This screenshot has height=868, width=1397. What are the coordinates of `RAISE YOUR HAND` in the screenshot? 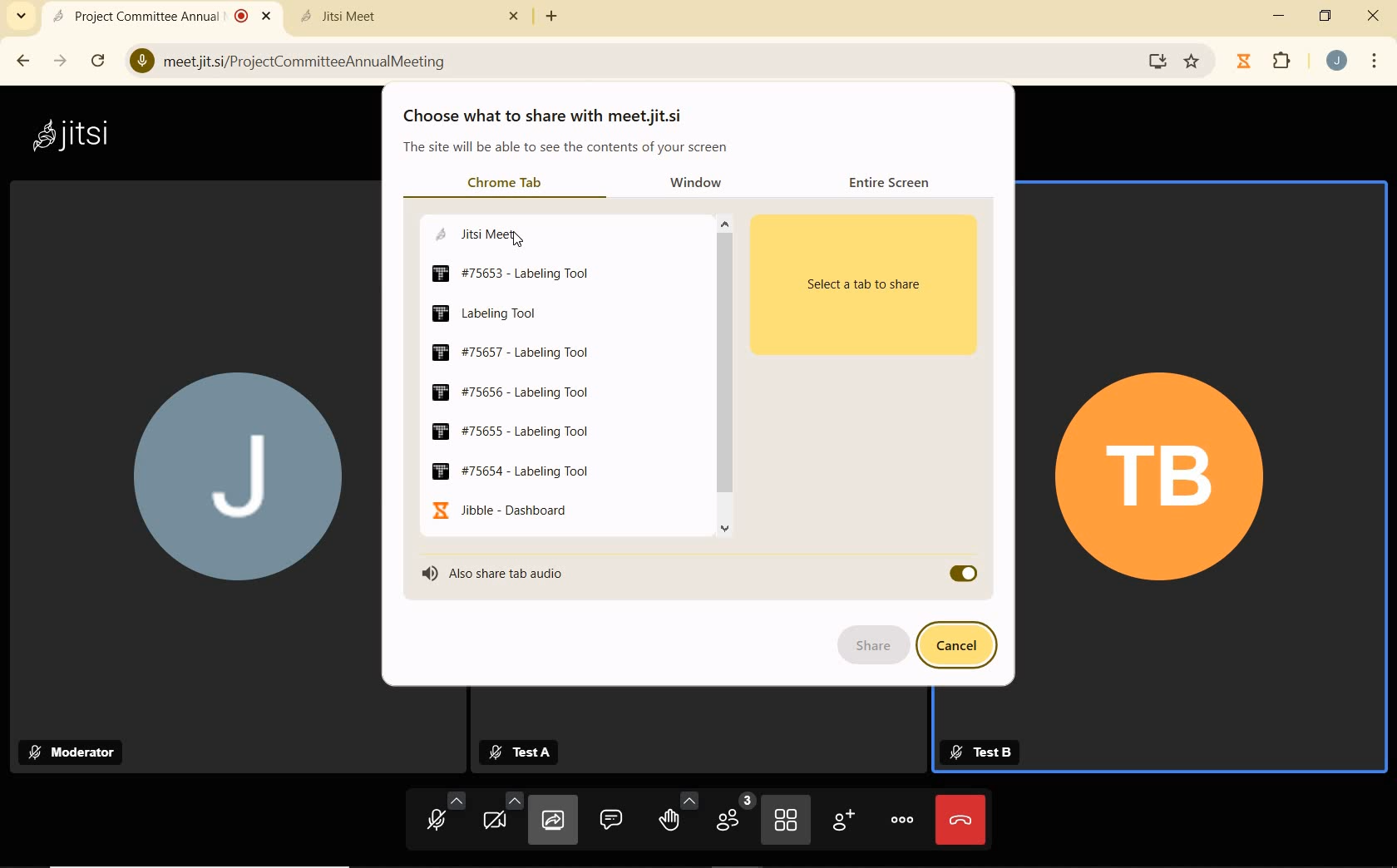 It's located at (677, 817).